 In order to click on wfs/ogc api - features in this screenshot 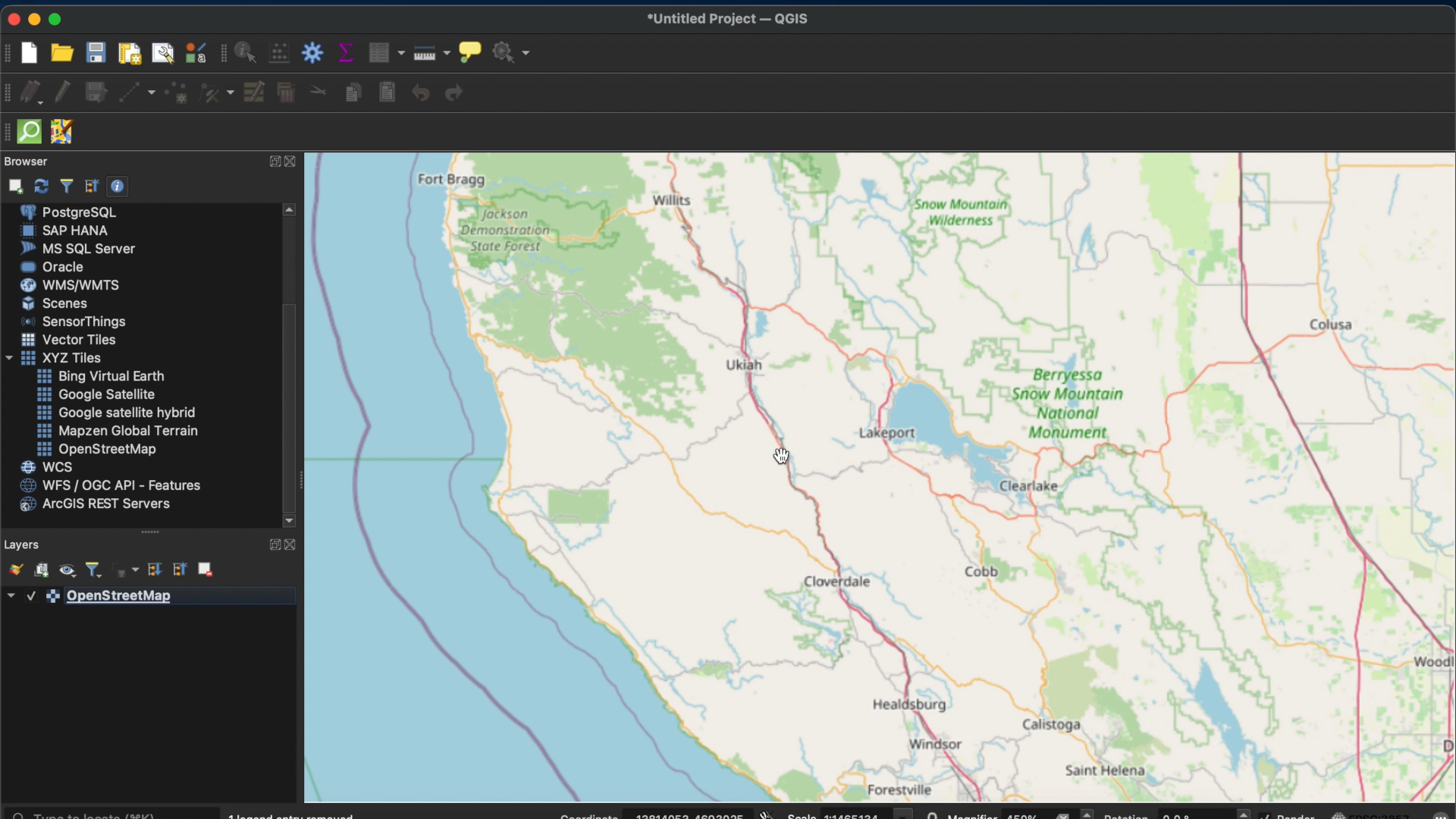, I will do `click(107, 486)`.